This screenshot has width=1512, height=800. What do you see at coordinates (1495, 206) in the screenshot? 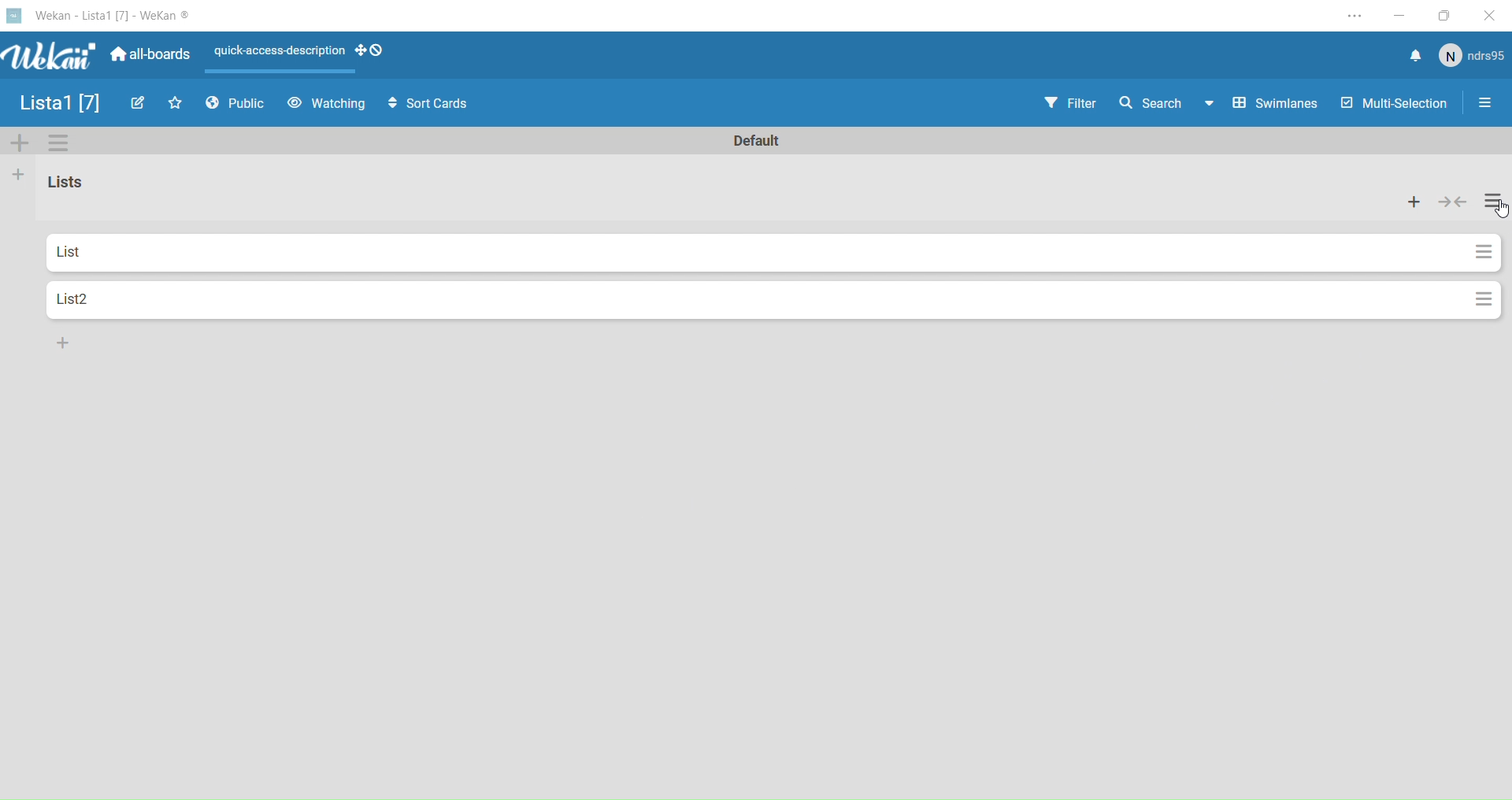
I see `Settings` at bounding box center [1495, 206].